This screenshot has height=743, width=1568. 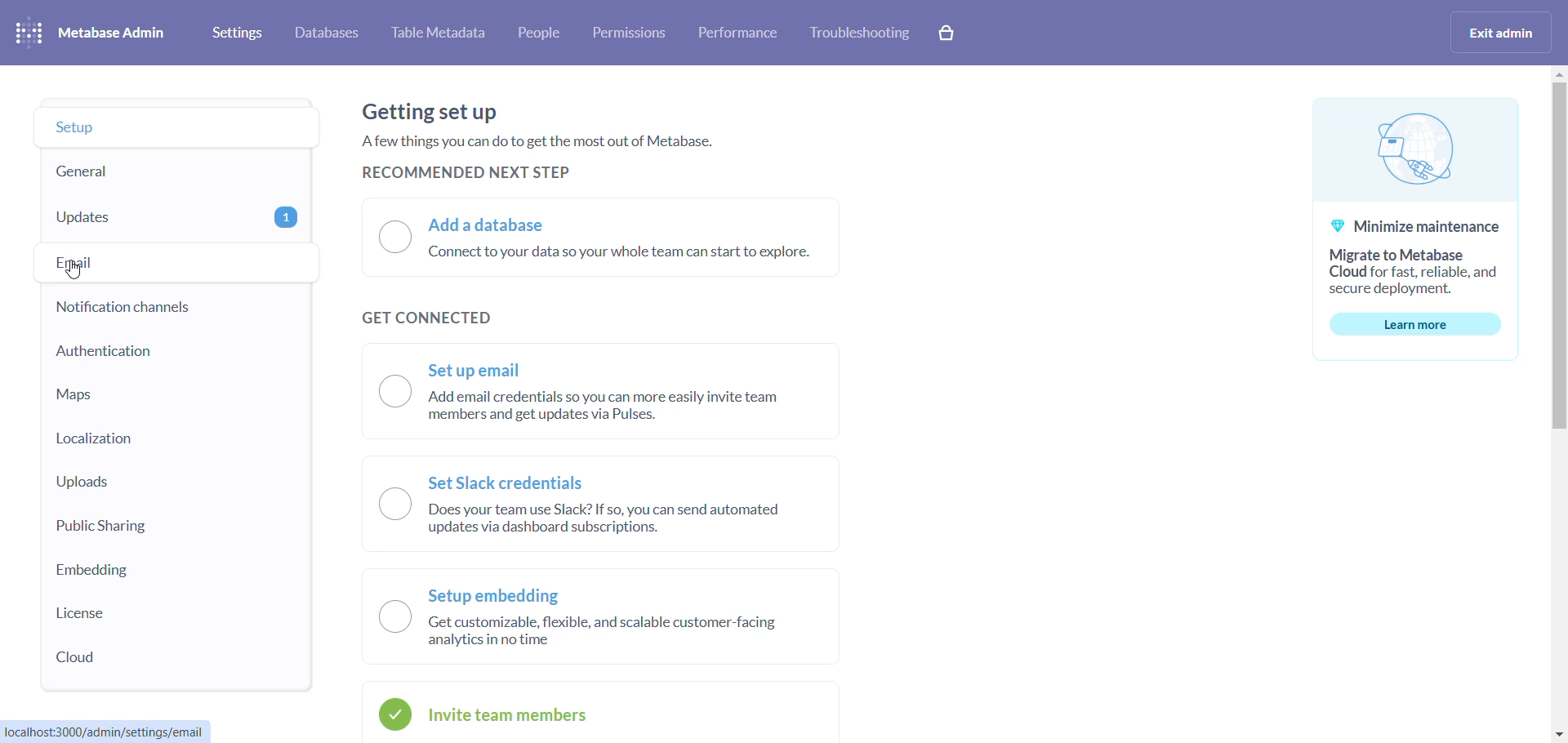 What do you see at coordinates (158, 218) in the screenshot?
I see `updates` at bounding box center [158, 218].